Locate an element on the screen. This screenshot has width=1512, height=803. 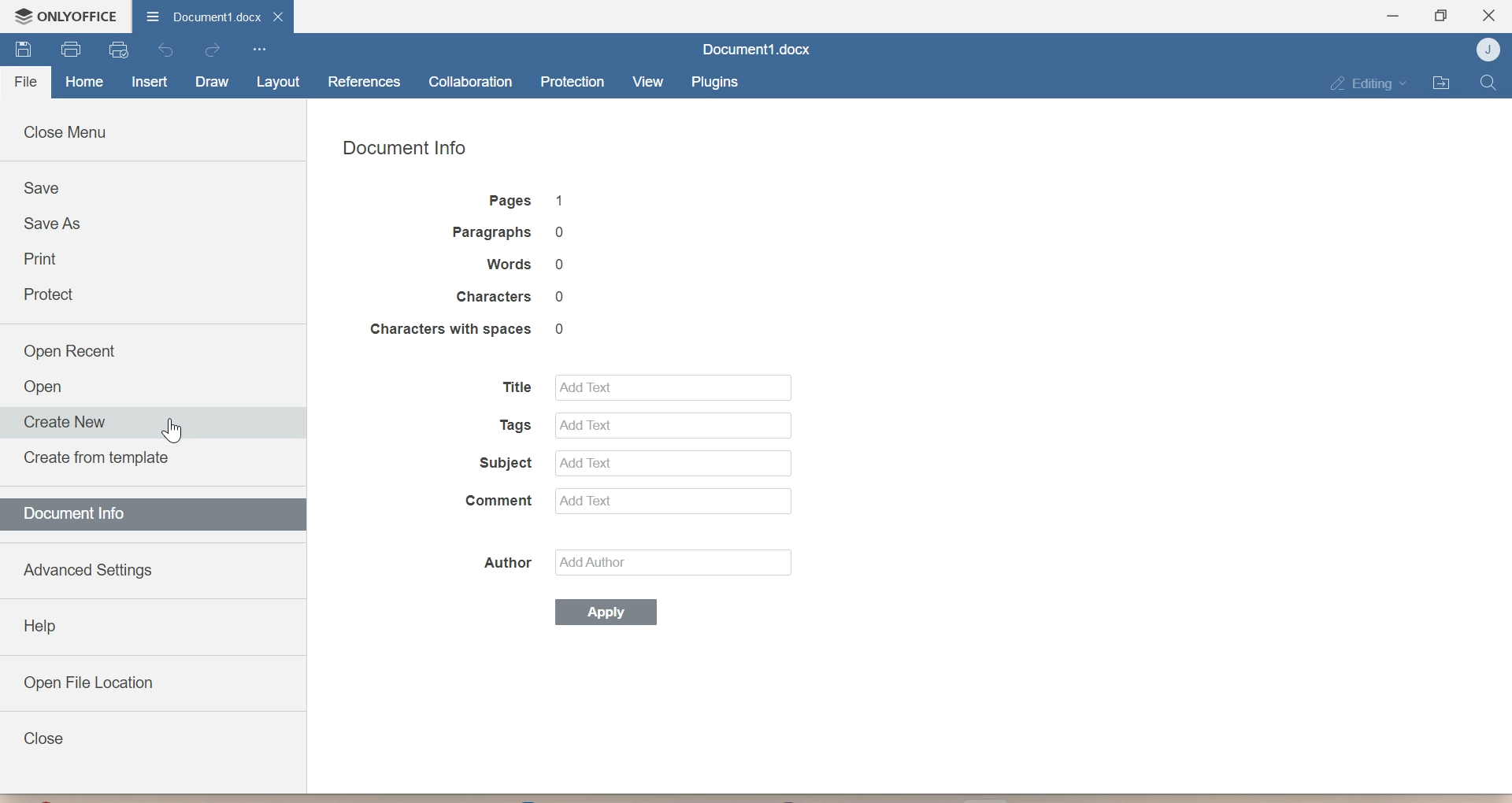
Subject is located at coordinates (500, 464).